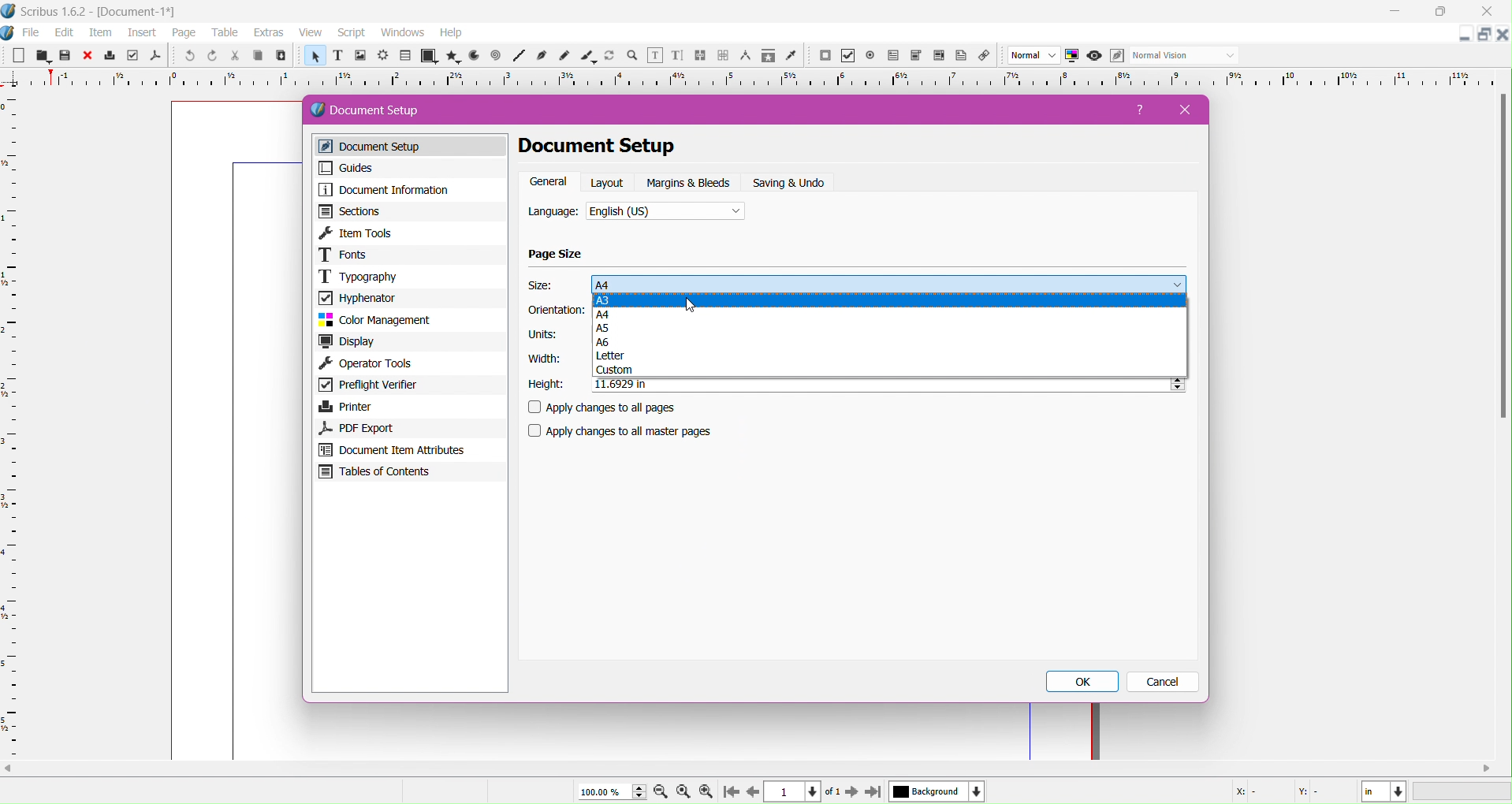  I want to click on insert menu, so click(142, 34).